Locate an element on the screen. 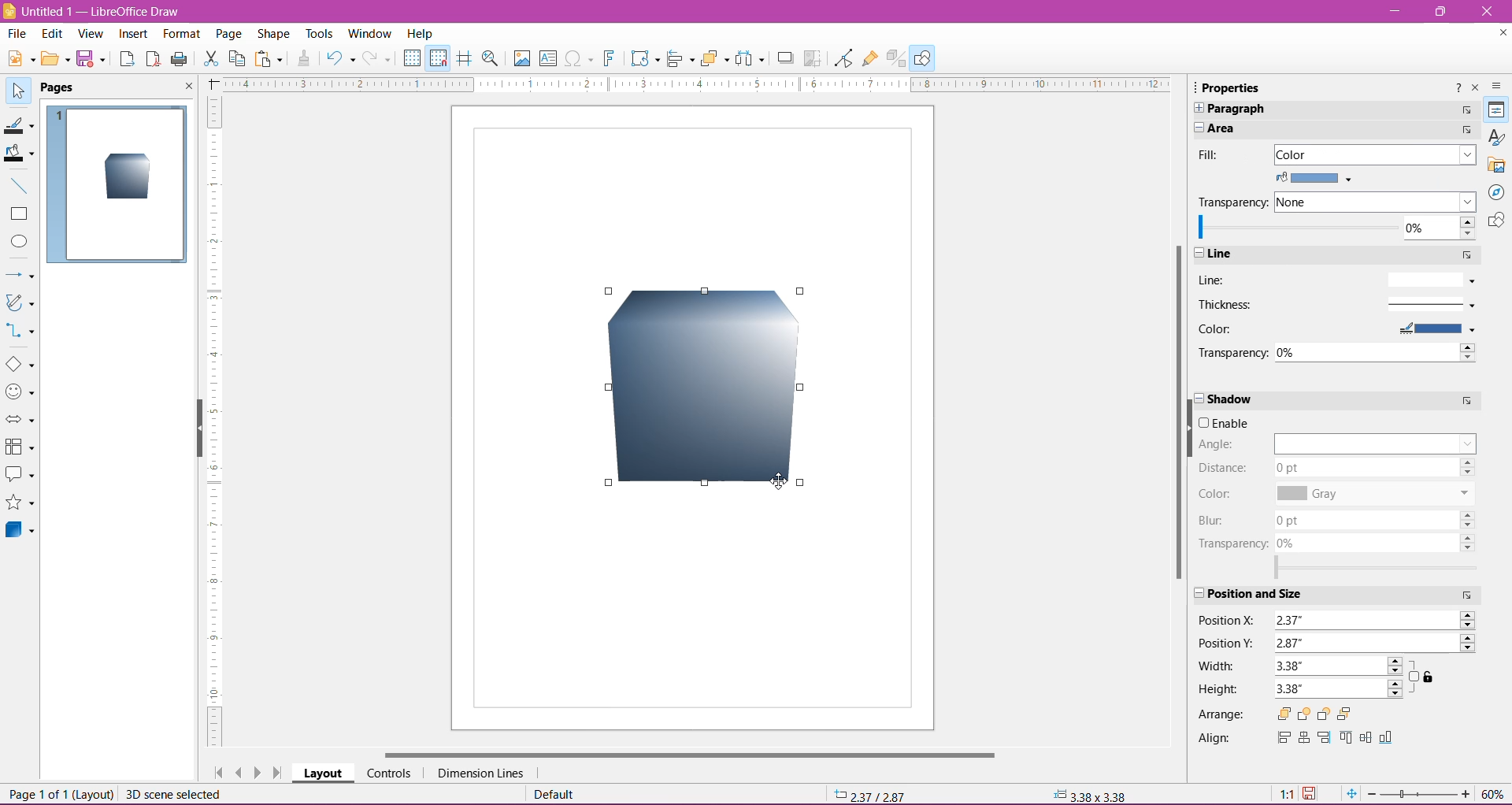  Transparency is located at coordinates (1235, 543).